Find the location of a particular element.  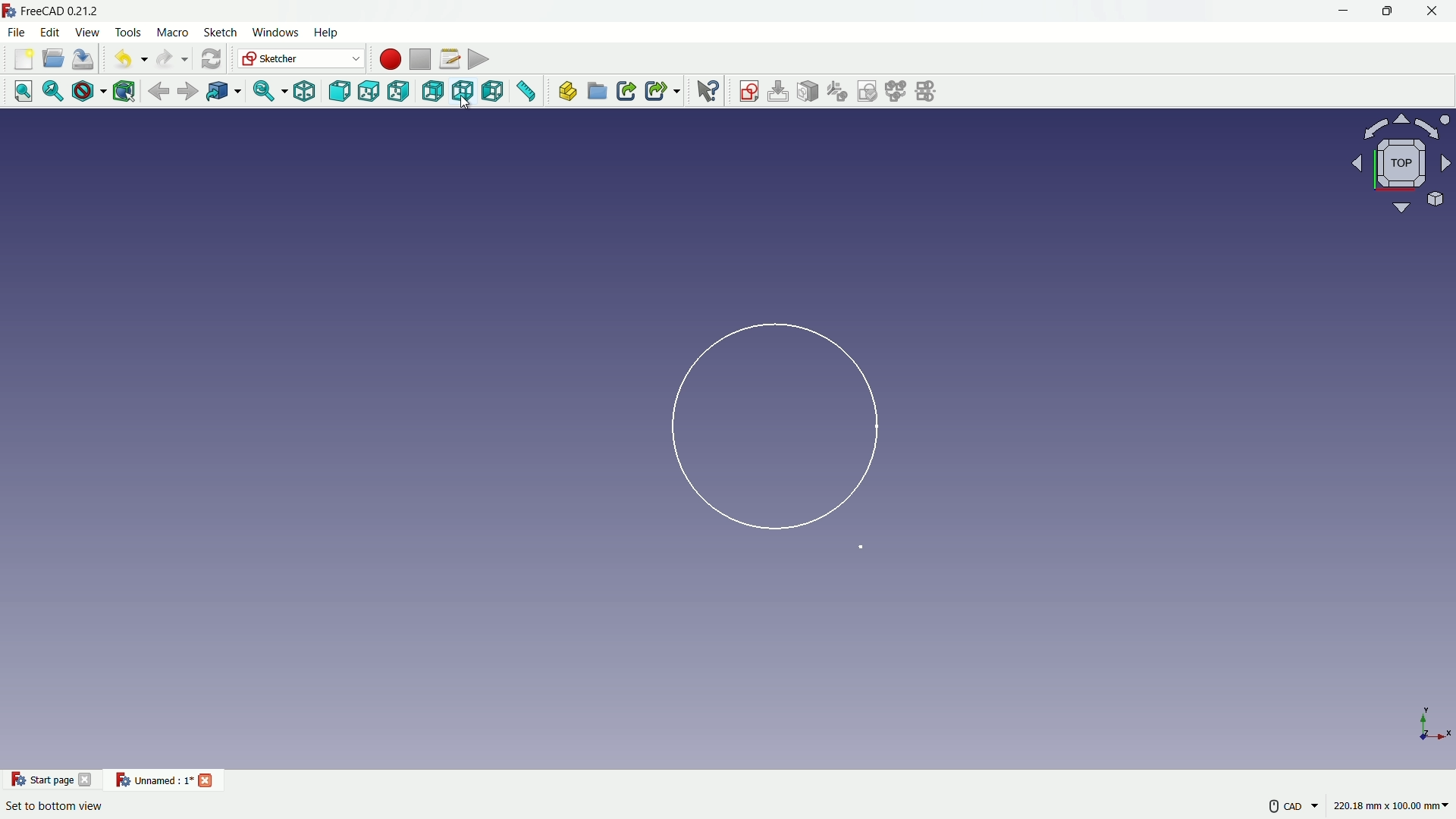

isometric view is located at coordinates (308, 92).